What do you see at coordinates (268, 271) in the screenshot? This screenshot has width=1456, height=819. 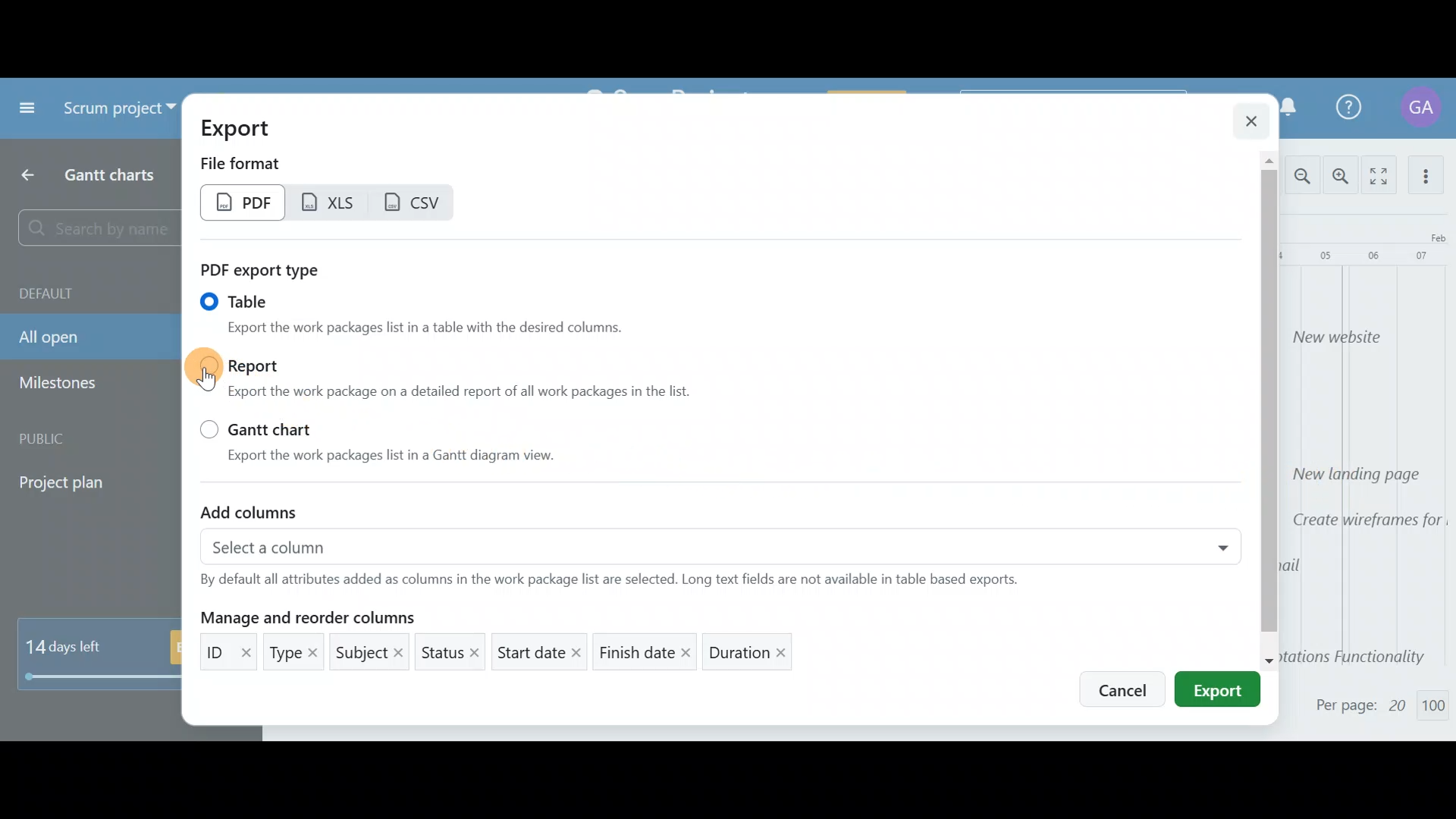 I see `PDF report type` at bounding box center [268, 271].